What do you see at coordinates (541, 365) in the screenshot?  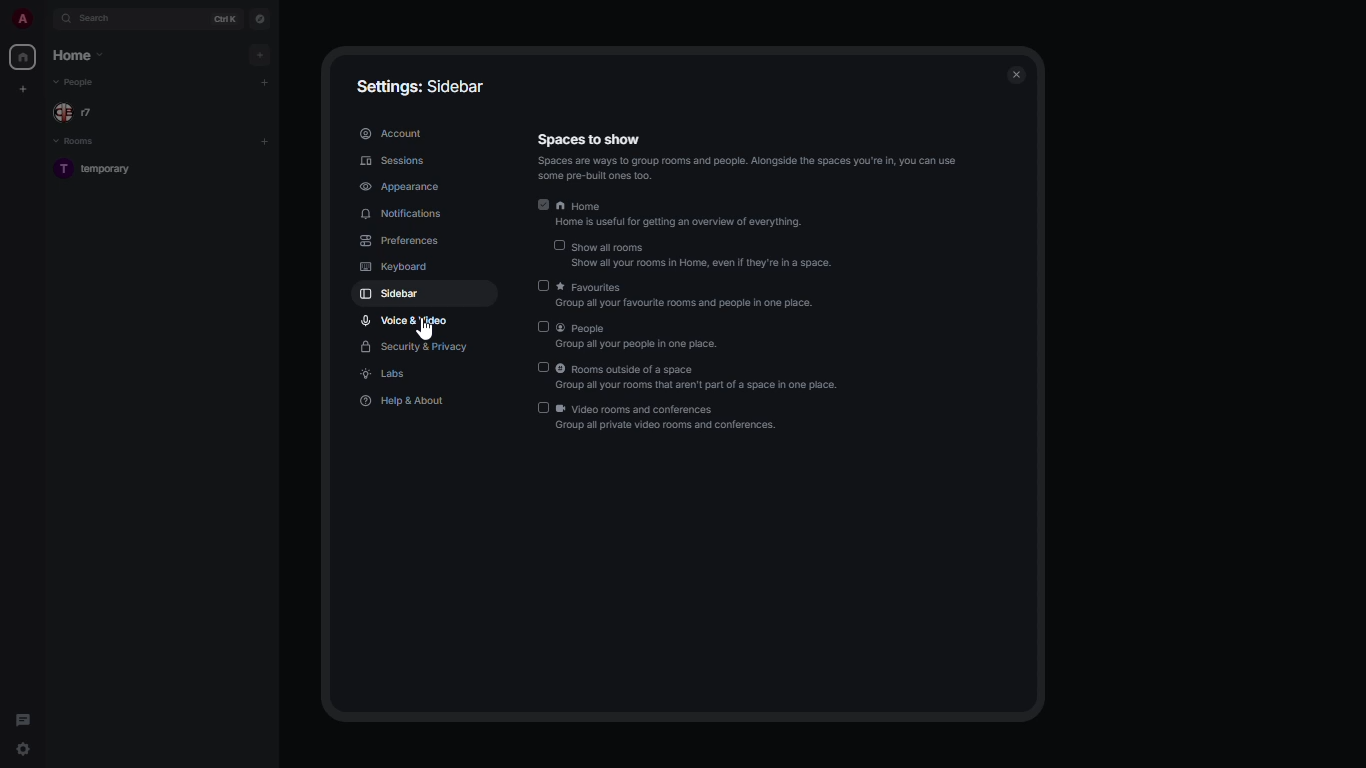 I see `` at bounding box center [541, 365].